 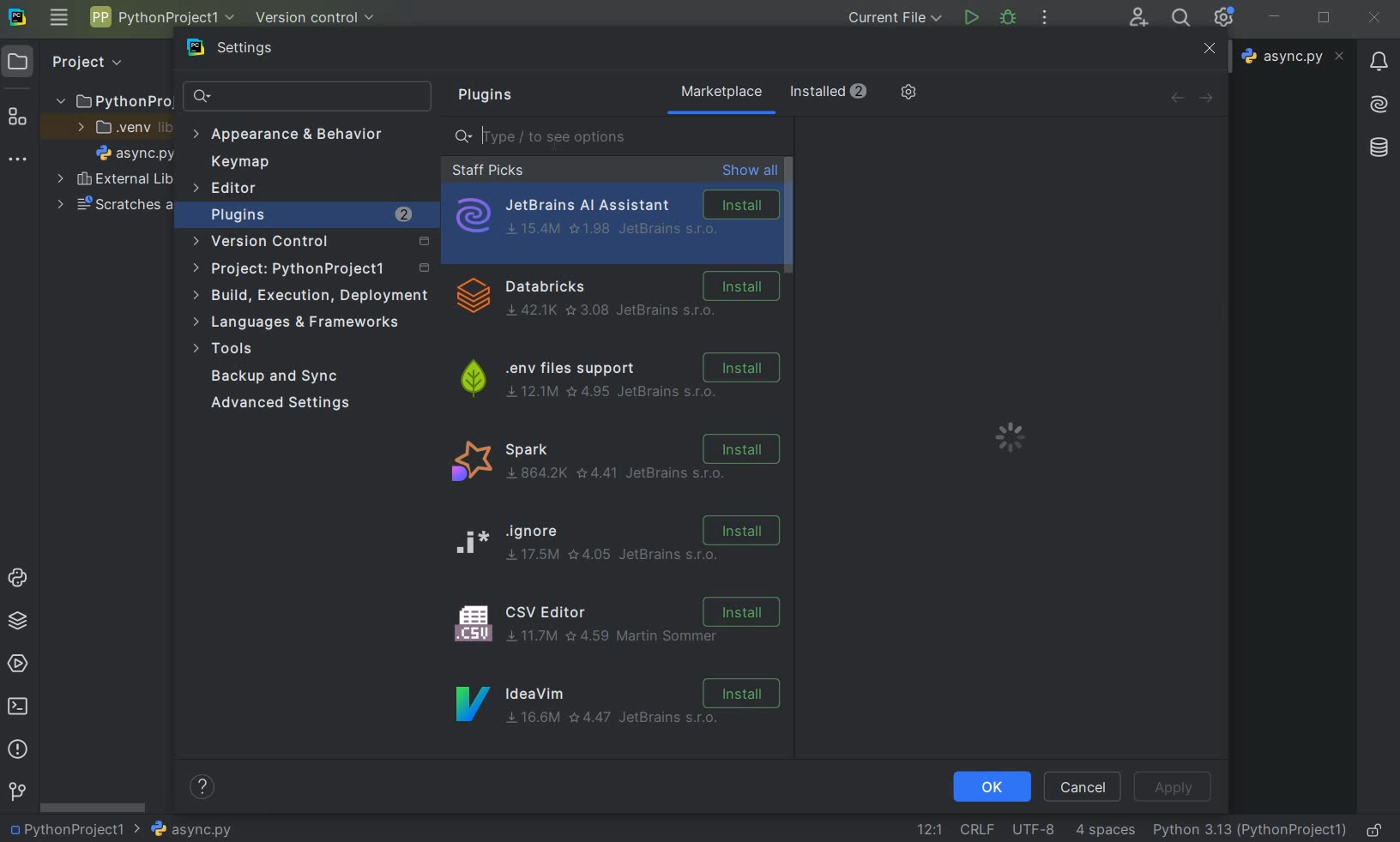 I want to click on CSV Editor, so click(x=614, y=621).